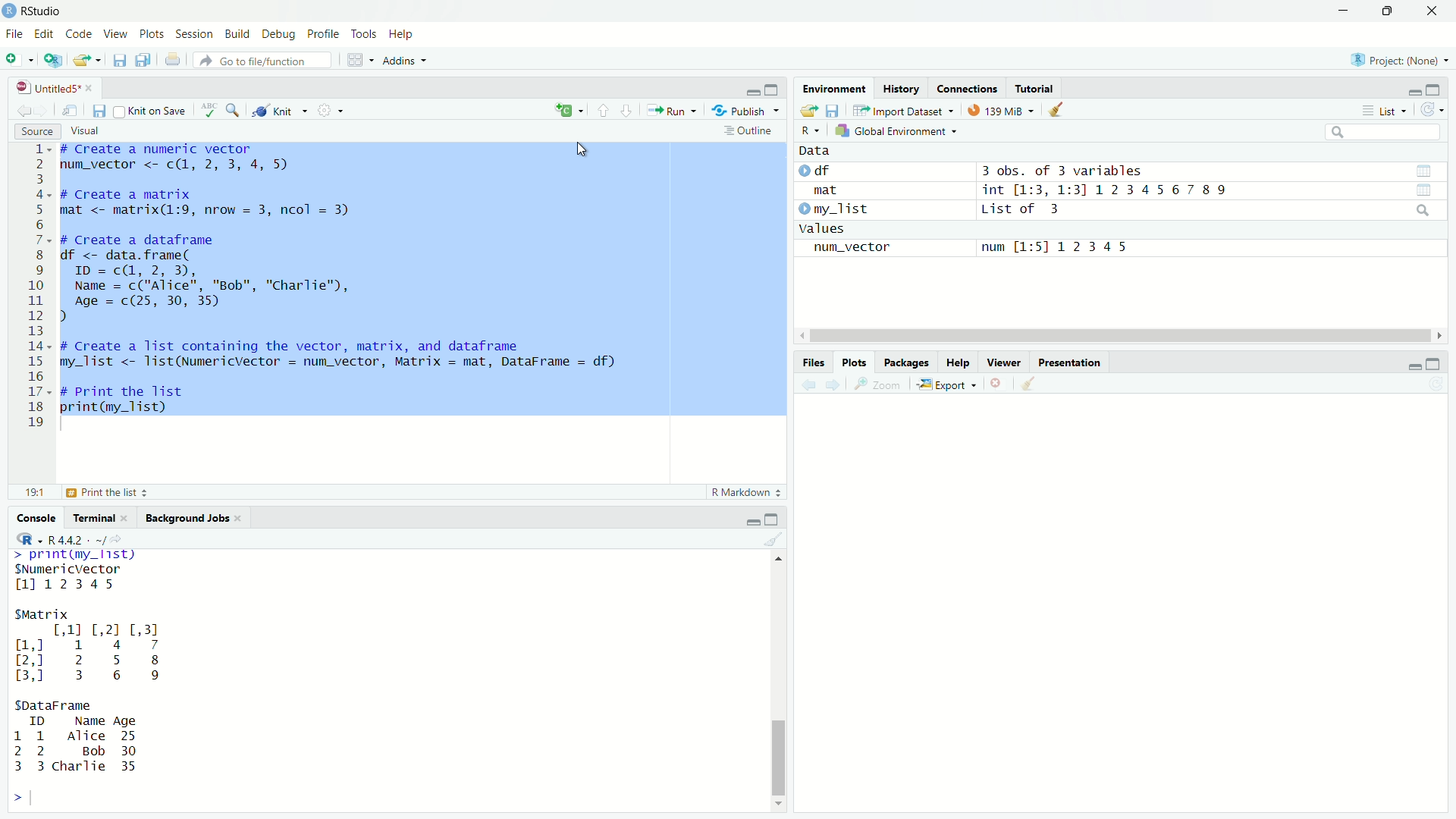 The width and height of the screenshot is (1456, 819). Describe the element at coordinates (152, 35) in the screenshot. I see `Plots` at that location.